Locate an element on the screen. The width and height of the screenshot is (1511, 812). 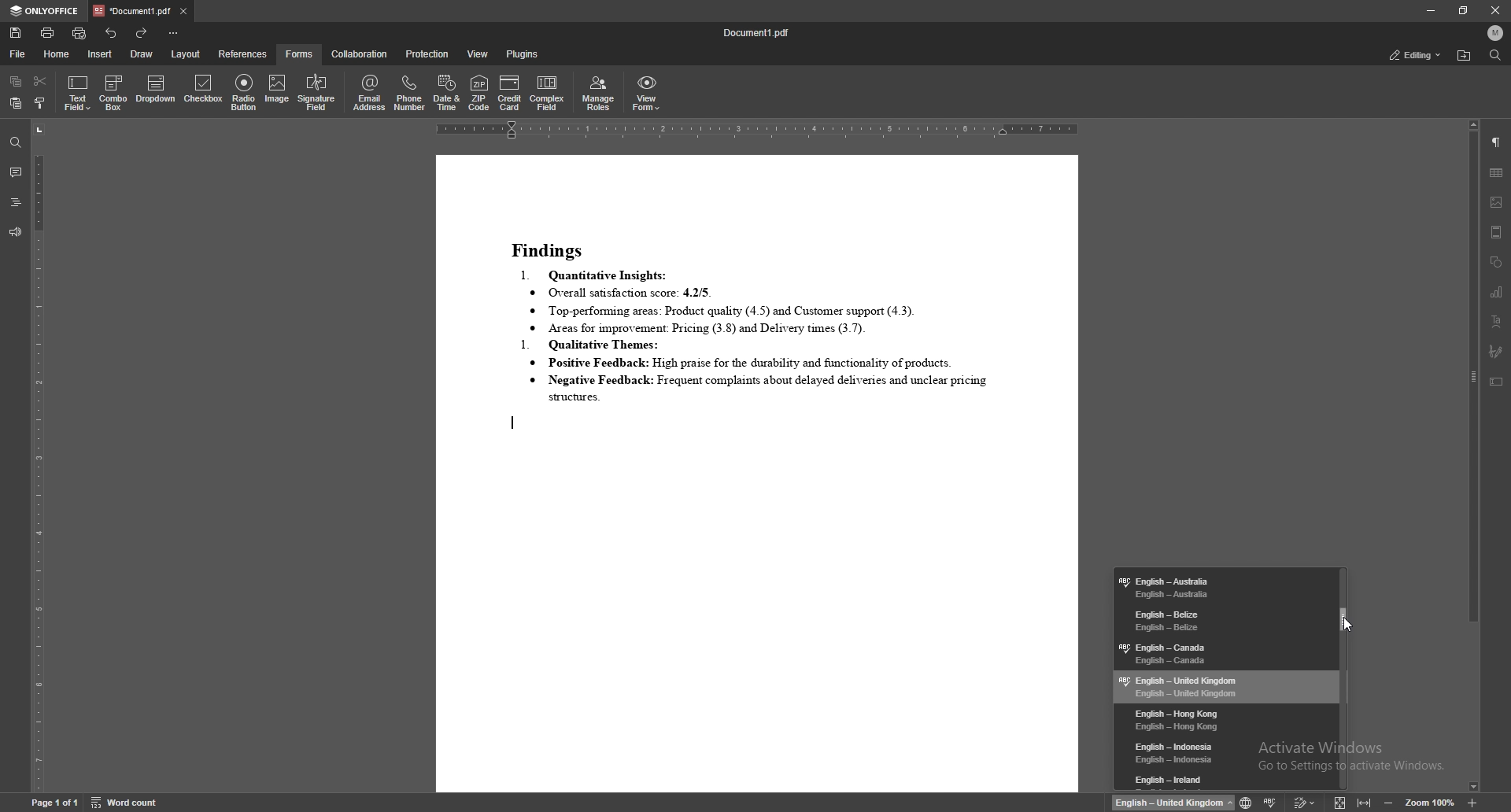
signature field is located at coordinates (316, 94).